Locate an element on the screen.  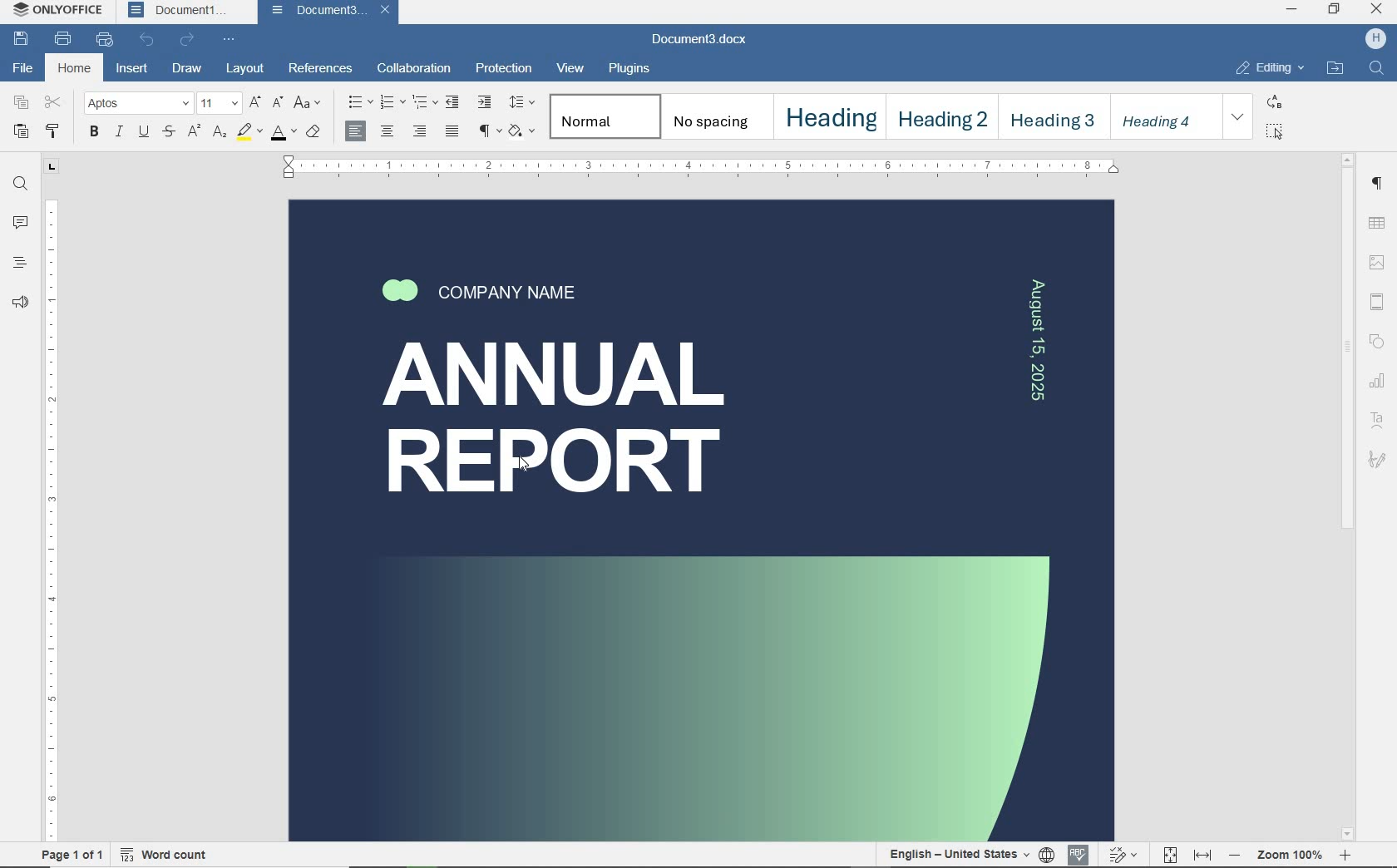
feedback & support is located at coordinates (20, 301).